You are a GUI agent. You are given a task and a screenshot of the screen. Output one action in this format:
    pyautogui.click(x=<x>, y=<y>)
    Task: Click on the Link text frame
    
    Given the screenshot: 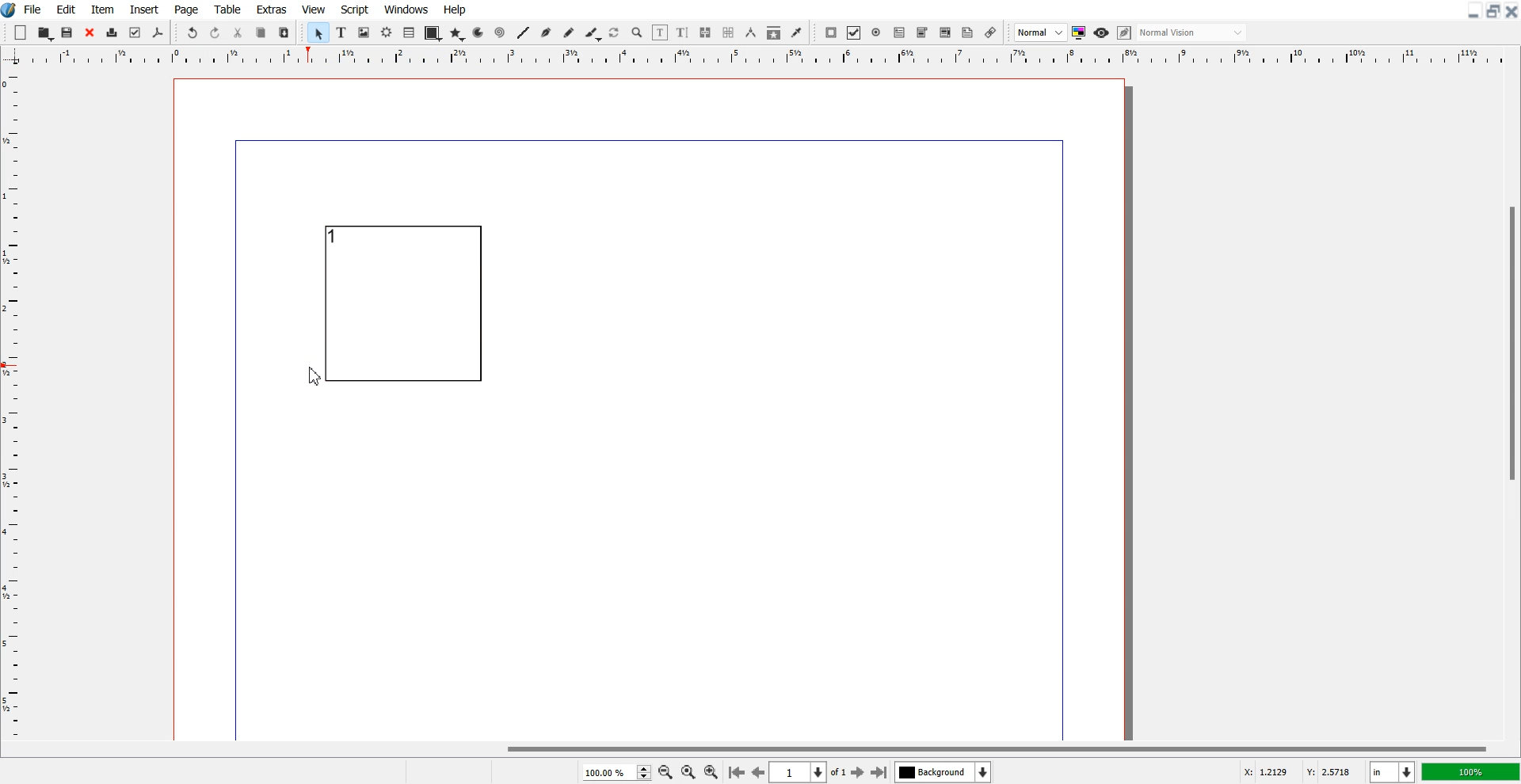 What is the action you would take?
    pyautogui.click(x=706, y=33)
    